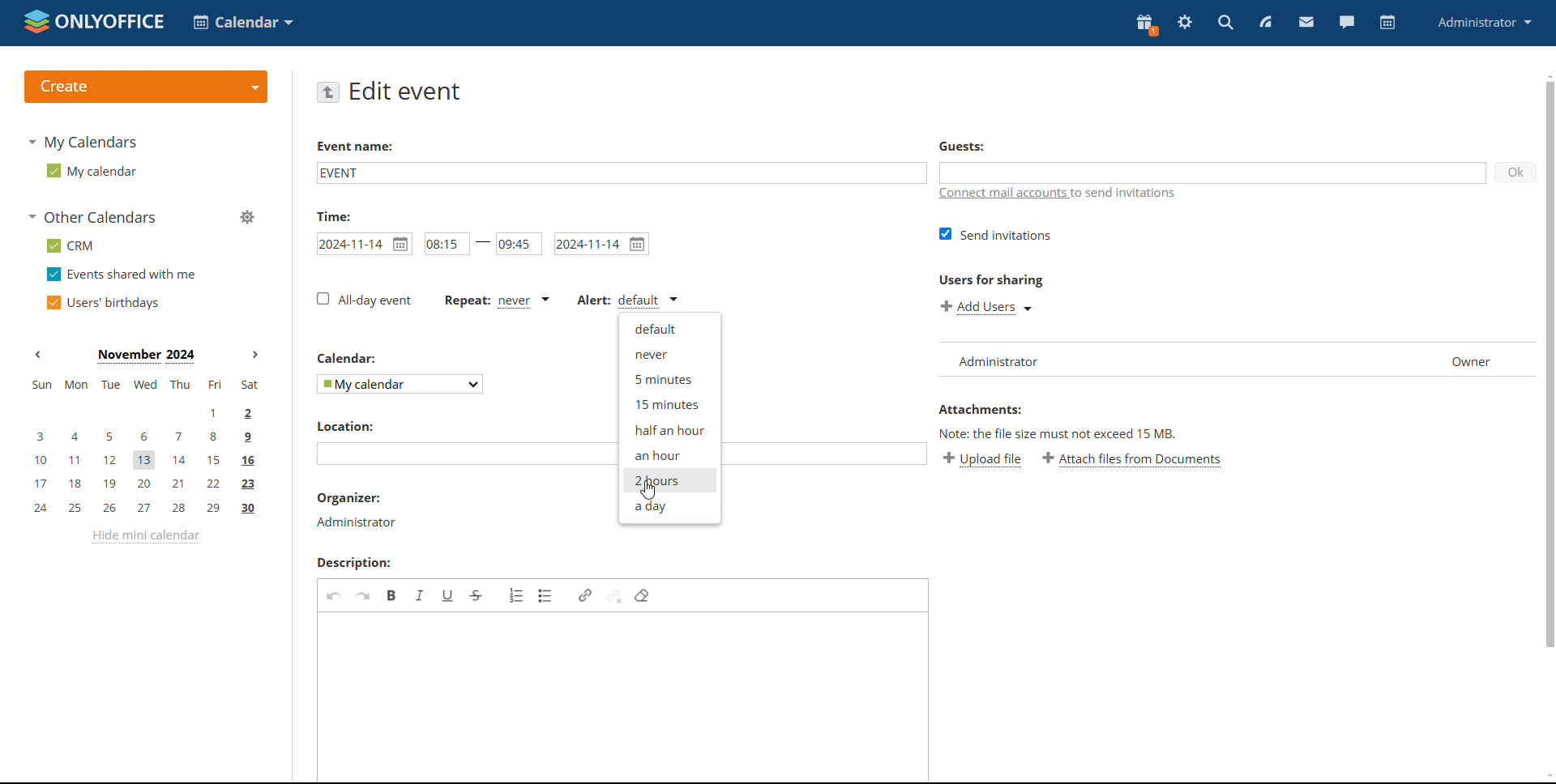  I want to click on upload file, so click(982, 459).